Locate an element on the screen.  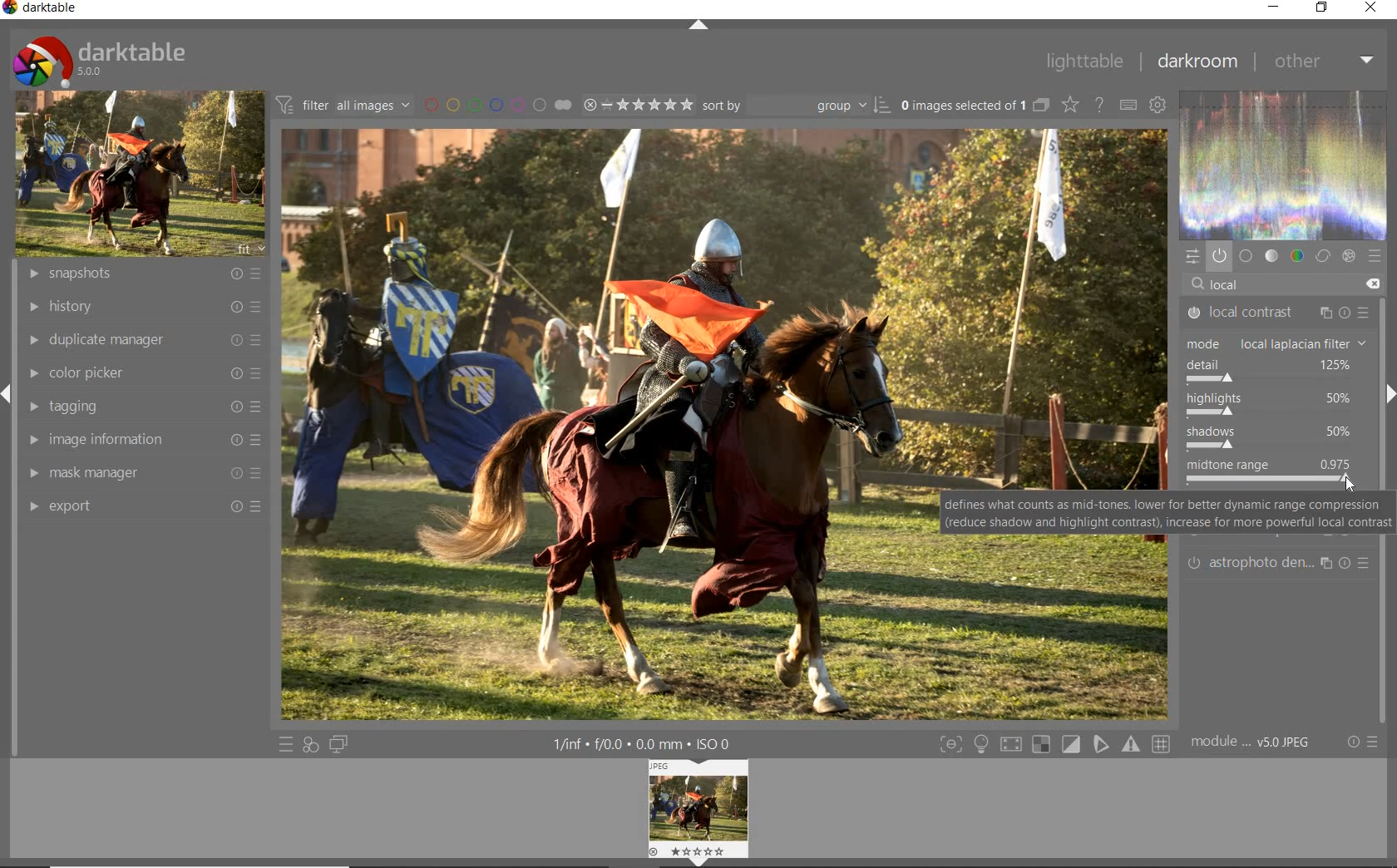
base is located at coordinates (1246, 255).